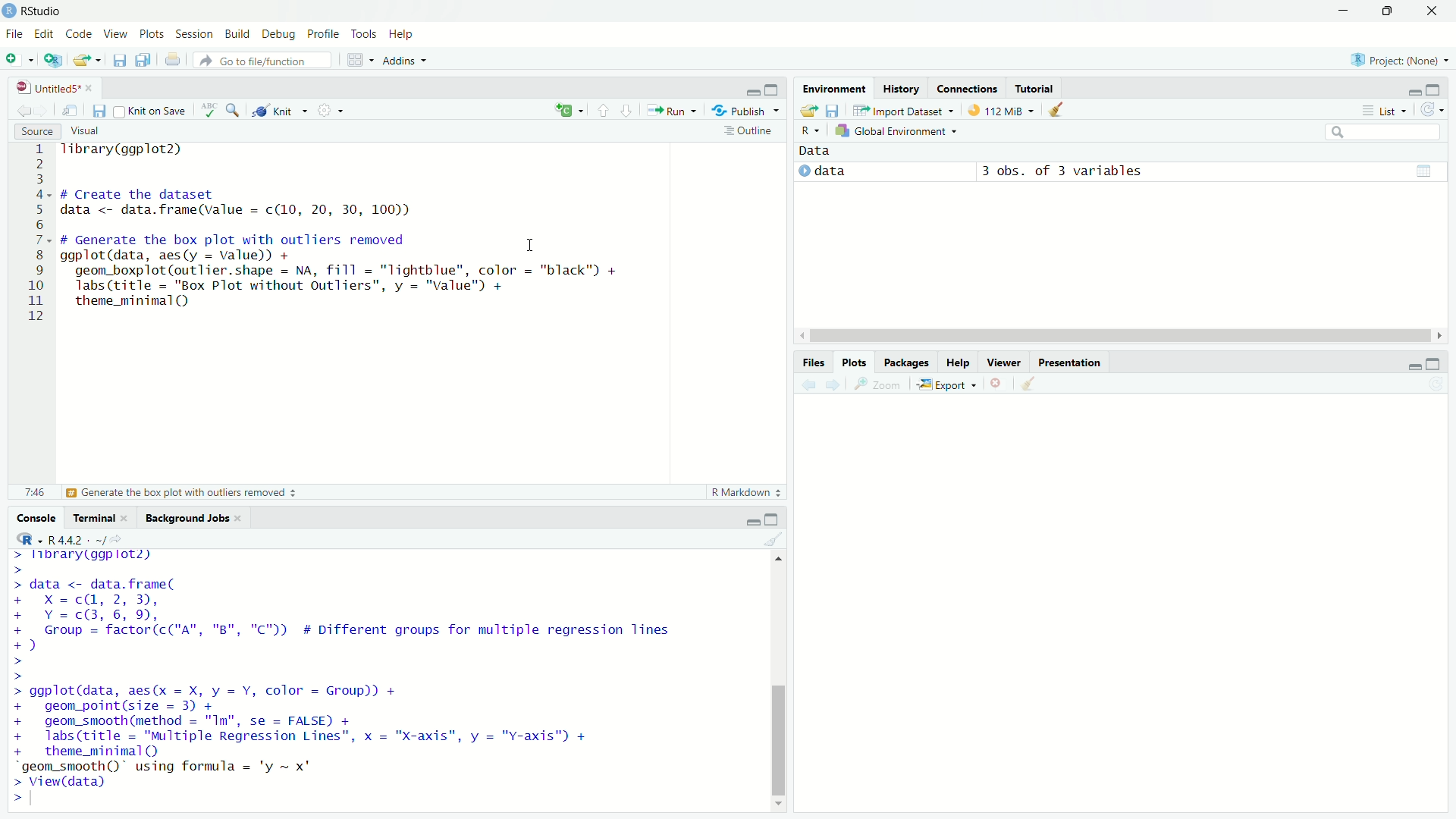 This screenshot has width=1456, height=819. I want to click on = Outline, so click(748, 130).